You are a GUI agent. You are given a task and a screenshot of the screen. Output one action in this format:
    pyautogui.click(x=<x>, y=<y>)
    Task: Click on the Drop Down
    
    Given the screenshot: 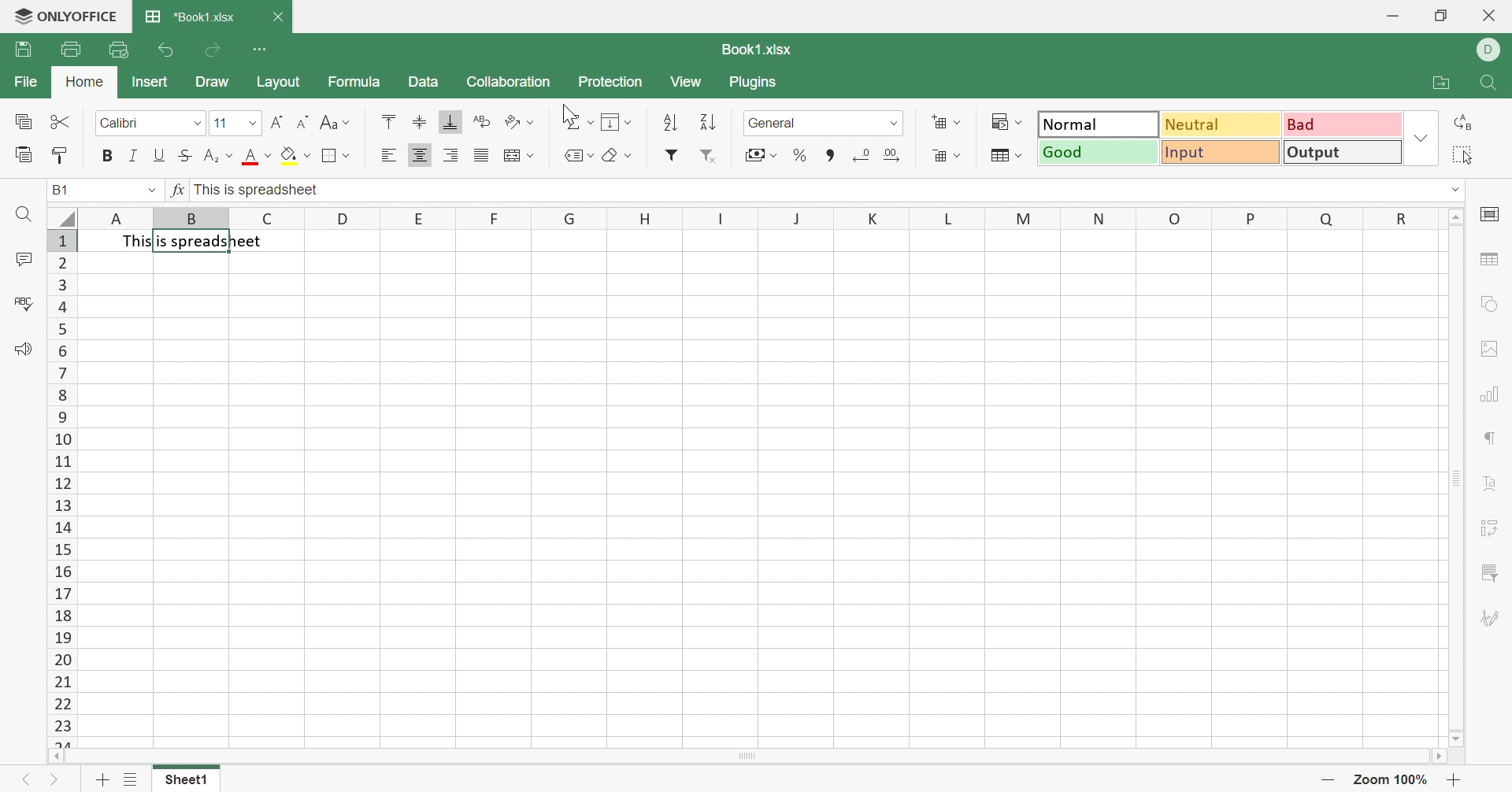 What is the action you would take?
    pyautogui.click(x=192, y=124)
    